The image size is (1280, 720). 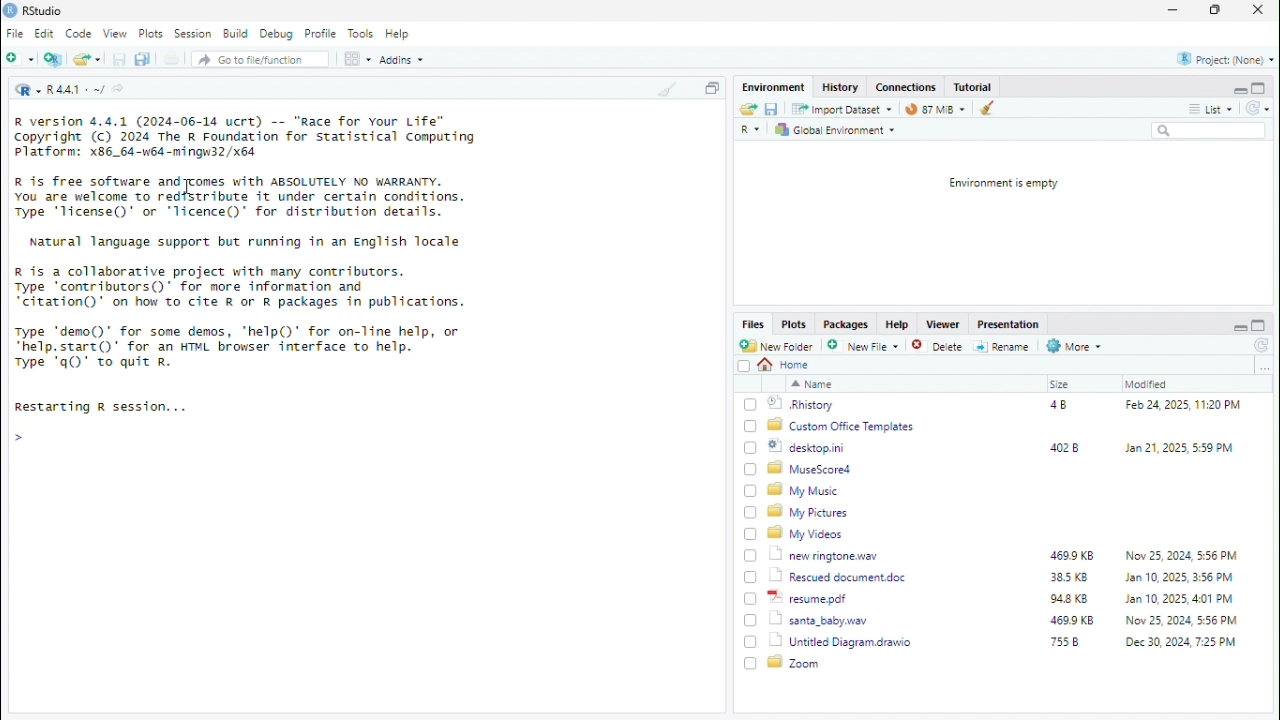 What do you see at coordinates (810, 469) in the screenshot?
I see `MuseScored` at bounding box center [810, 469].